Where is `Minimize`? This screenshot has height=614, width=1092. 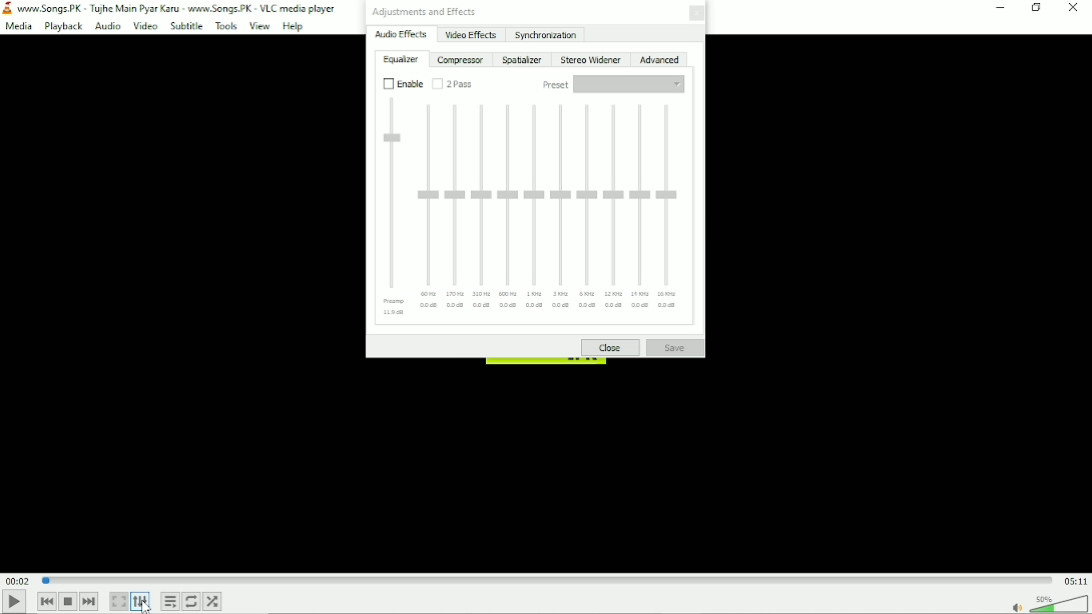
Minimize is located at coordinates (999, 10).